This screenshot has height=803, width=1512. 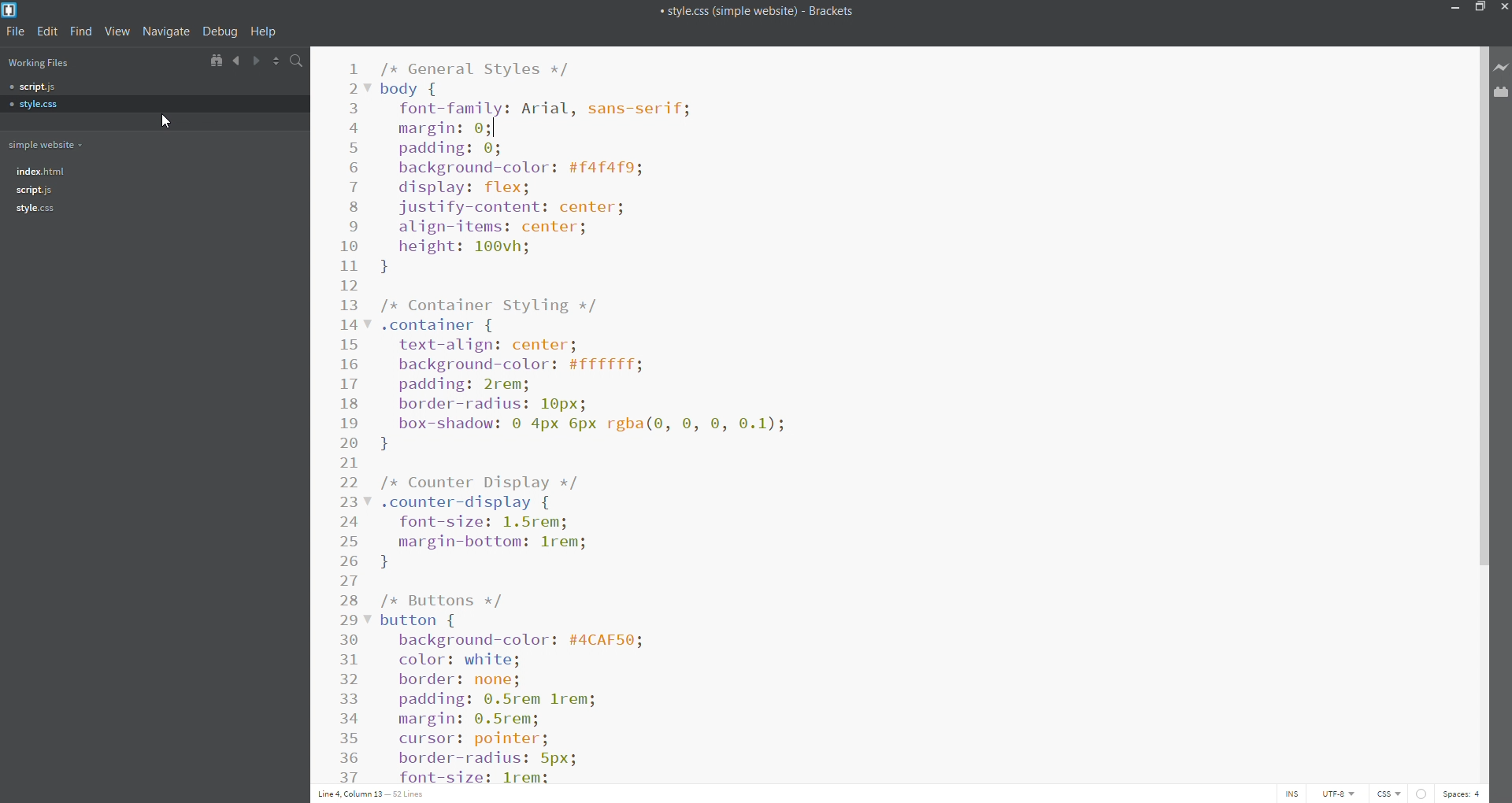 What do you see at coordinates (1499, 93) in the screenshot?
I see `extension manager` at bounding box center [1499, 93].